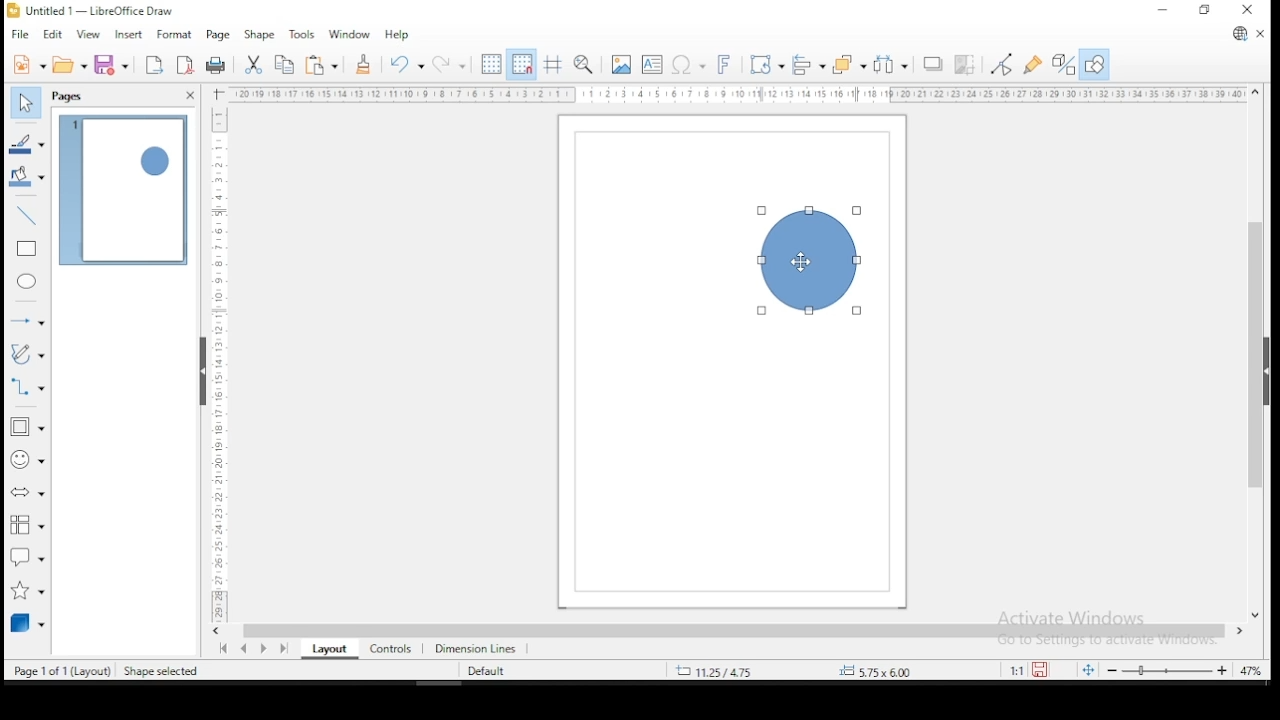 This screenshot has width=1280, height=720. Describe the element at coordinates (124, 191) in the screenshot. I see `page 1` at that location.